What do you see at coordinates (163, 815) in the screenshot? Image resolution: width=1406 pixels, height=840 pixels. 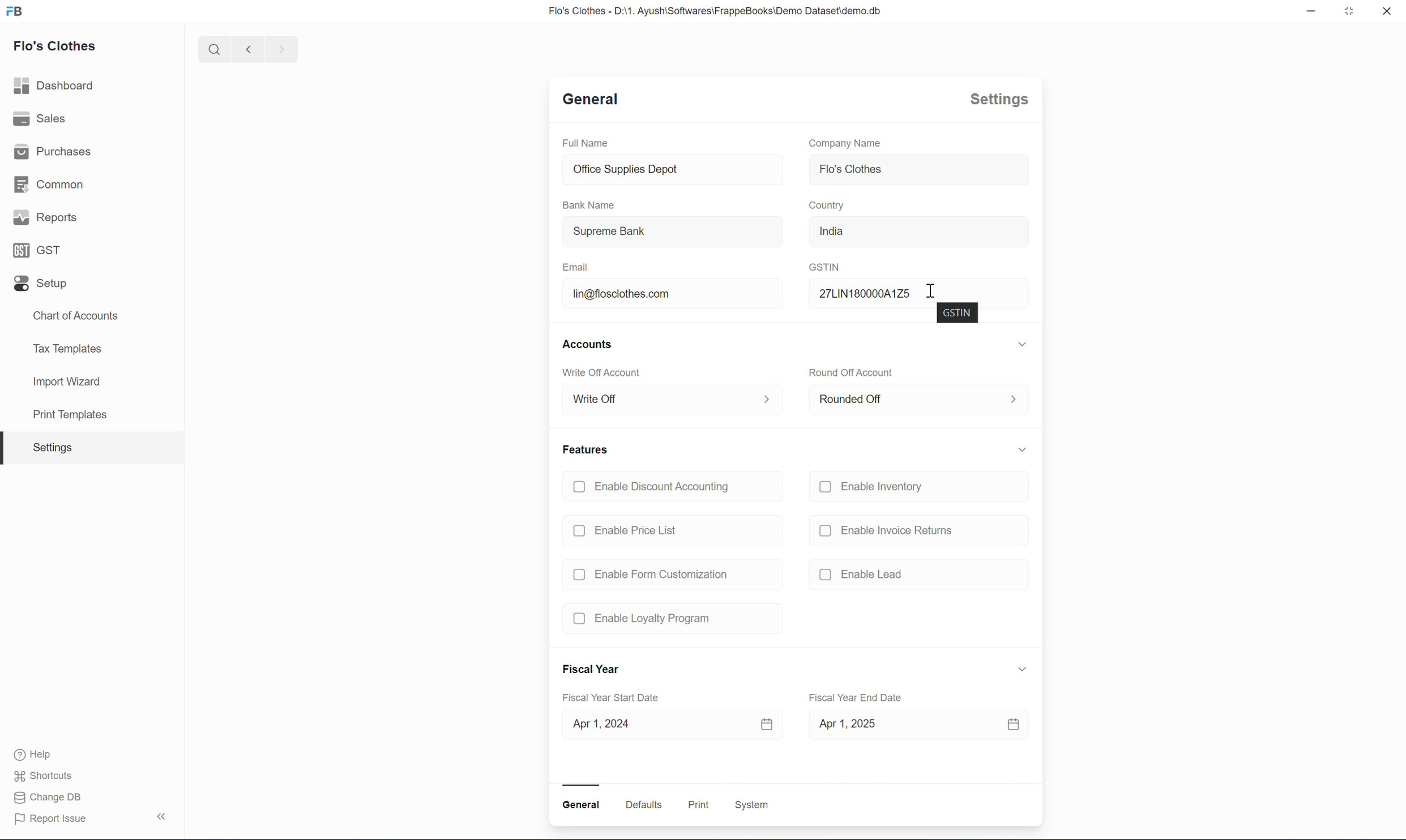 I see `Collapse` at bounding box center [163, 815].